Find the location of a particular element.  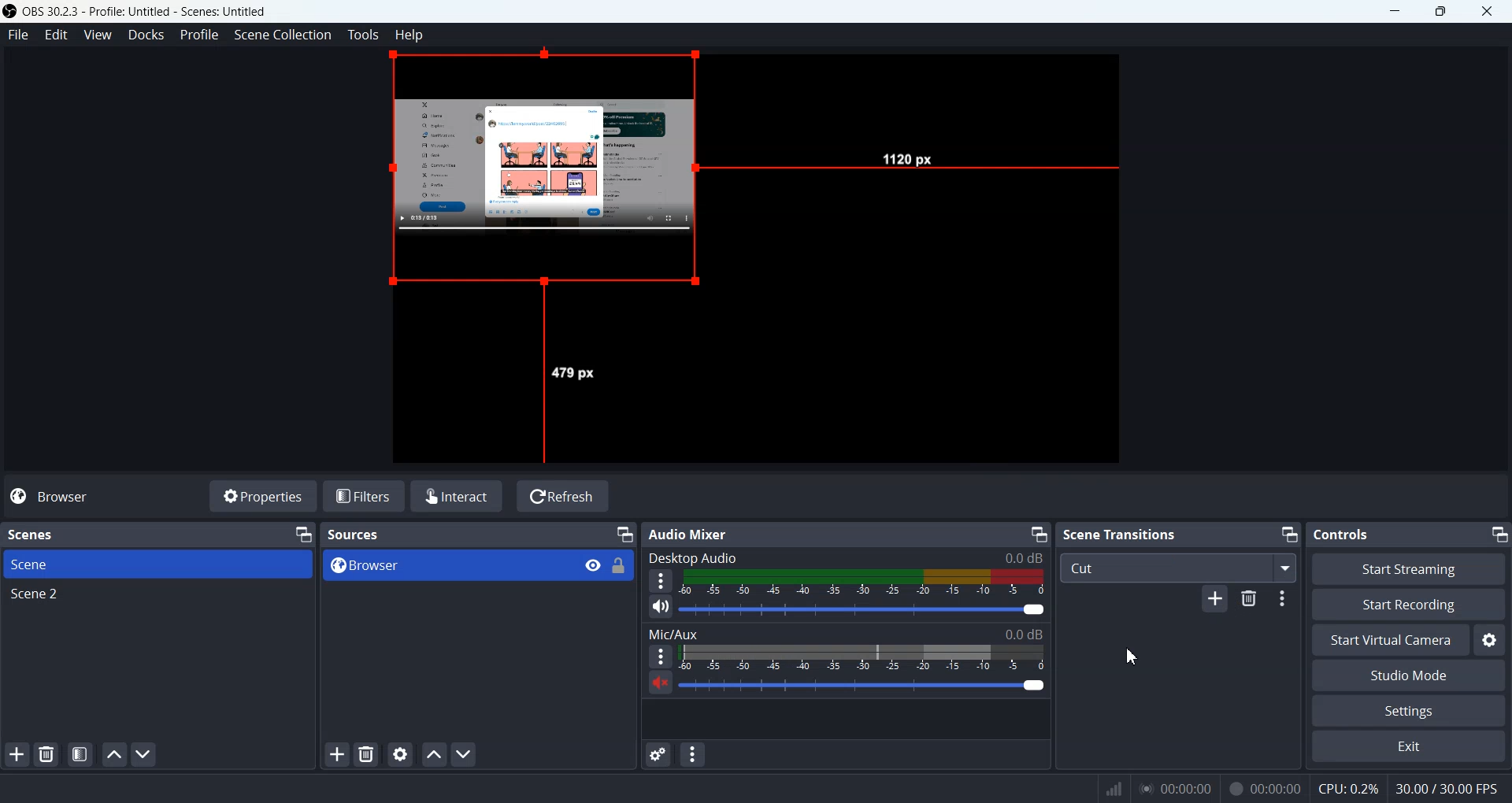

Start Recording is located at coordinates (1409, 605).